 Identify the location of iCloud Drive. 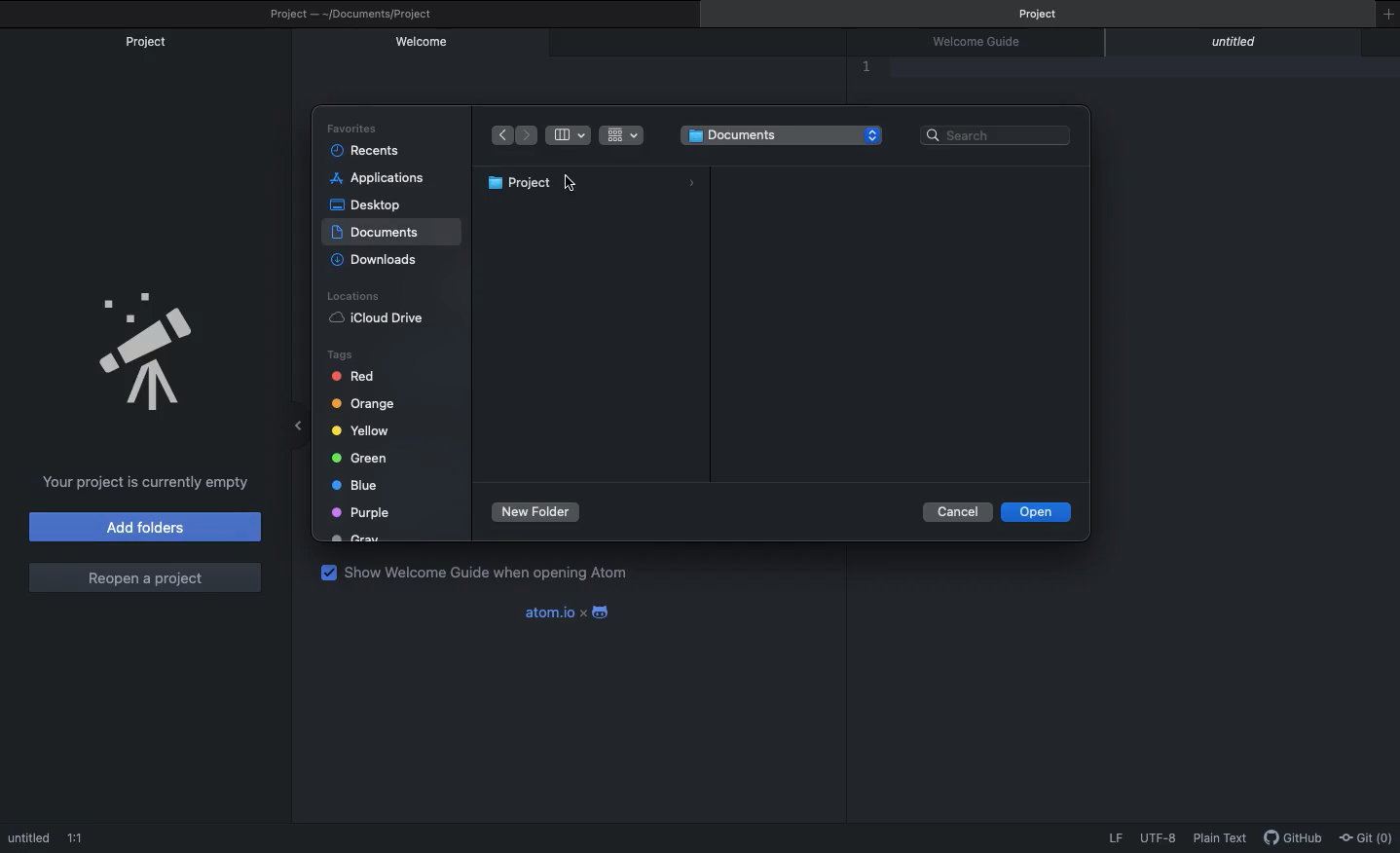
(381, 317).